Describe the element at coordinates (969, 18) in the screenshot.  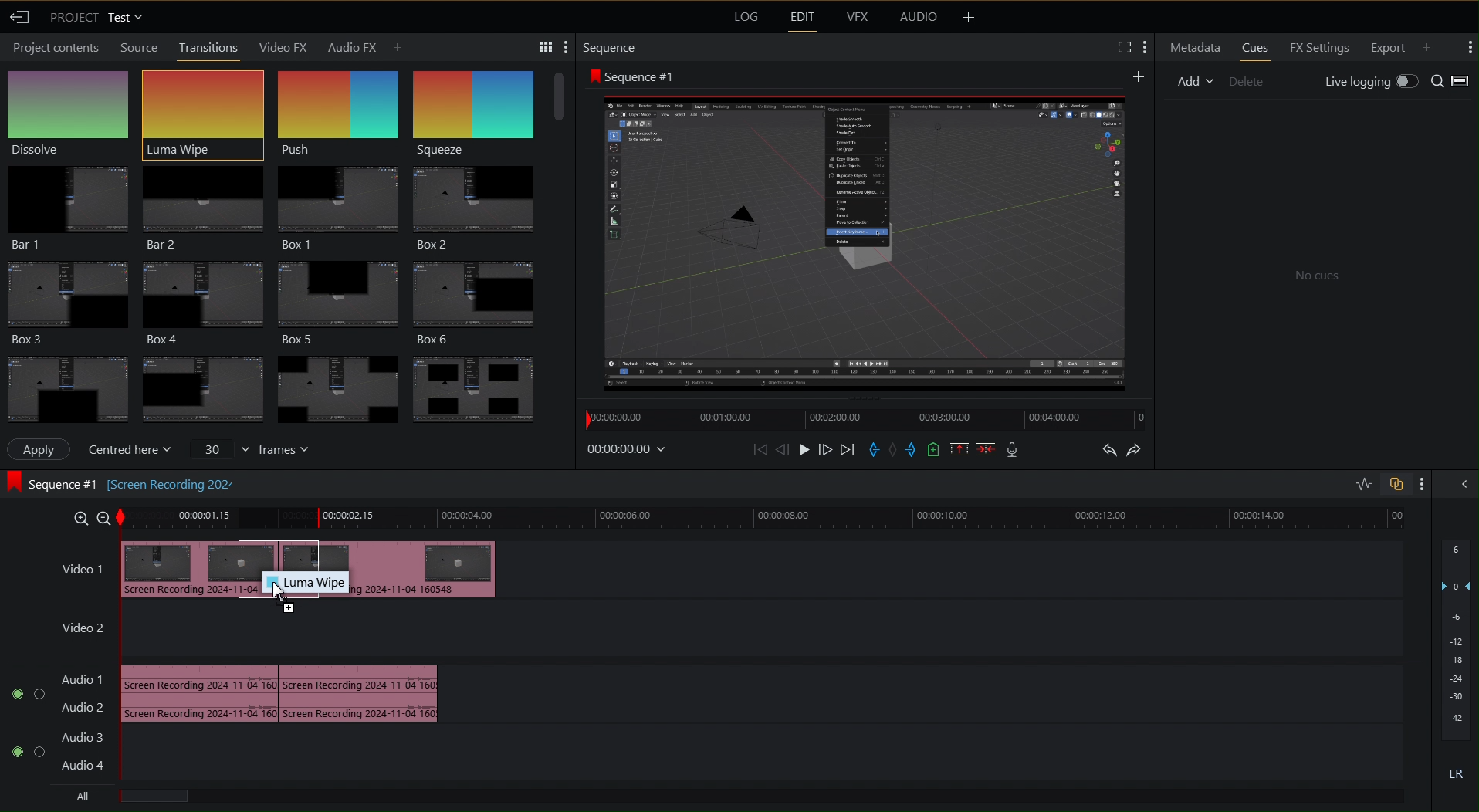
I see `More` at that location.